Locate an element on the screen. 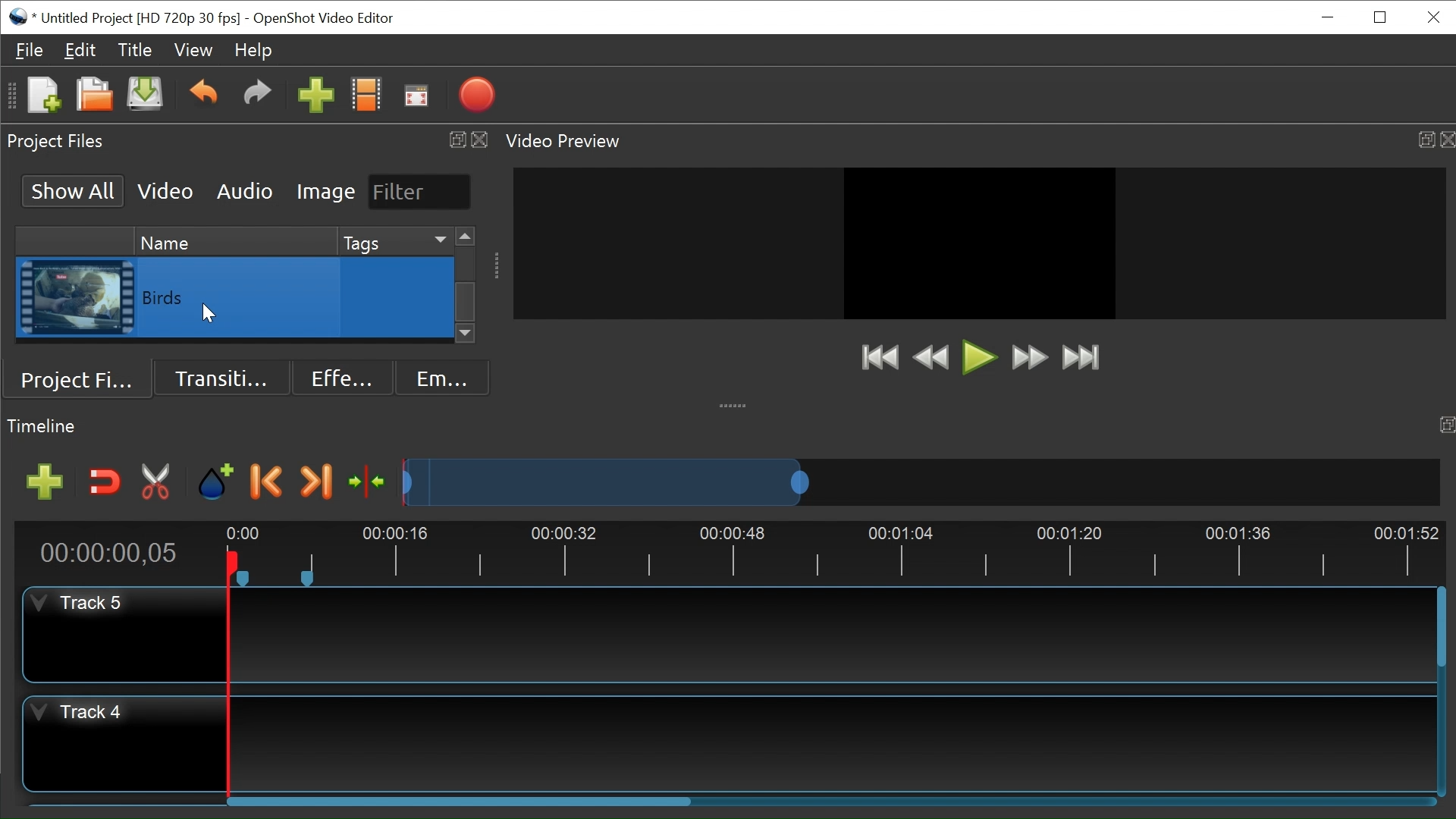 Image resolution: width=1456 pixels, height=819 pixels. Project Files is located at coordinates (83, 377).